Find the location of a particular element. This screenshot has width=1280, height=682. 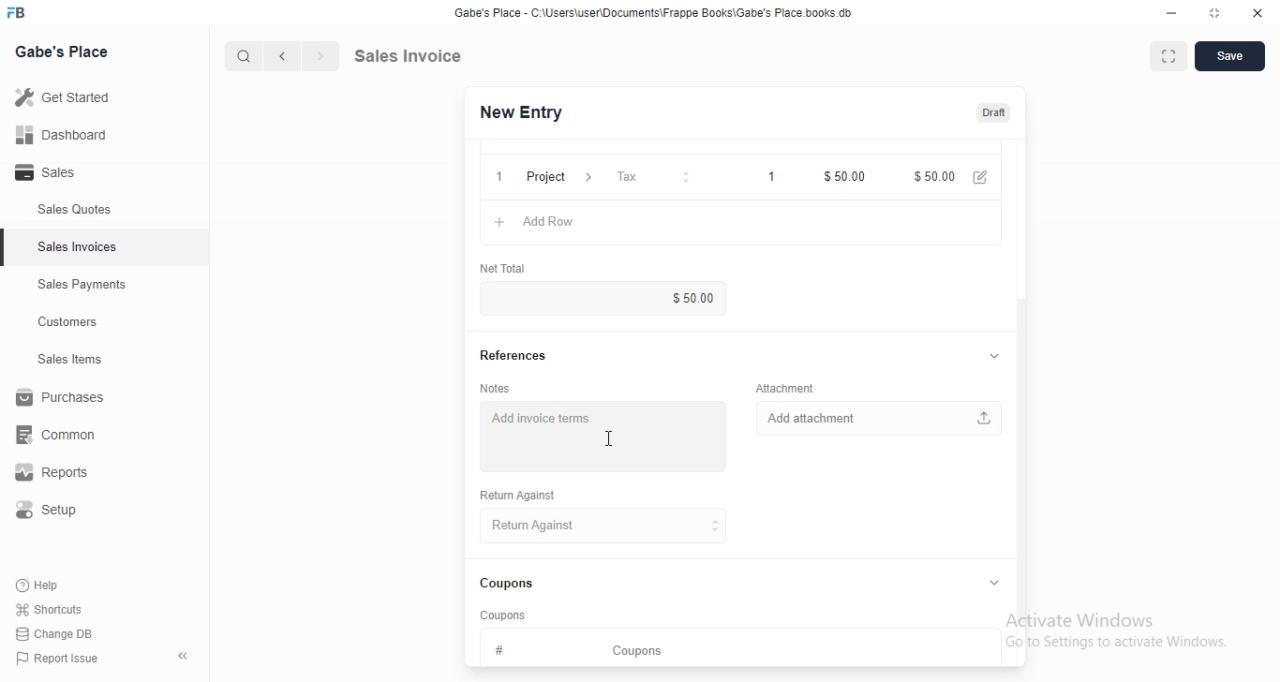

Notes is located at coordinates (502, 388).